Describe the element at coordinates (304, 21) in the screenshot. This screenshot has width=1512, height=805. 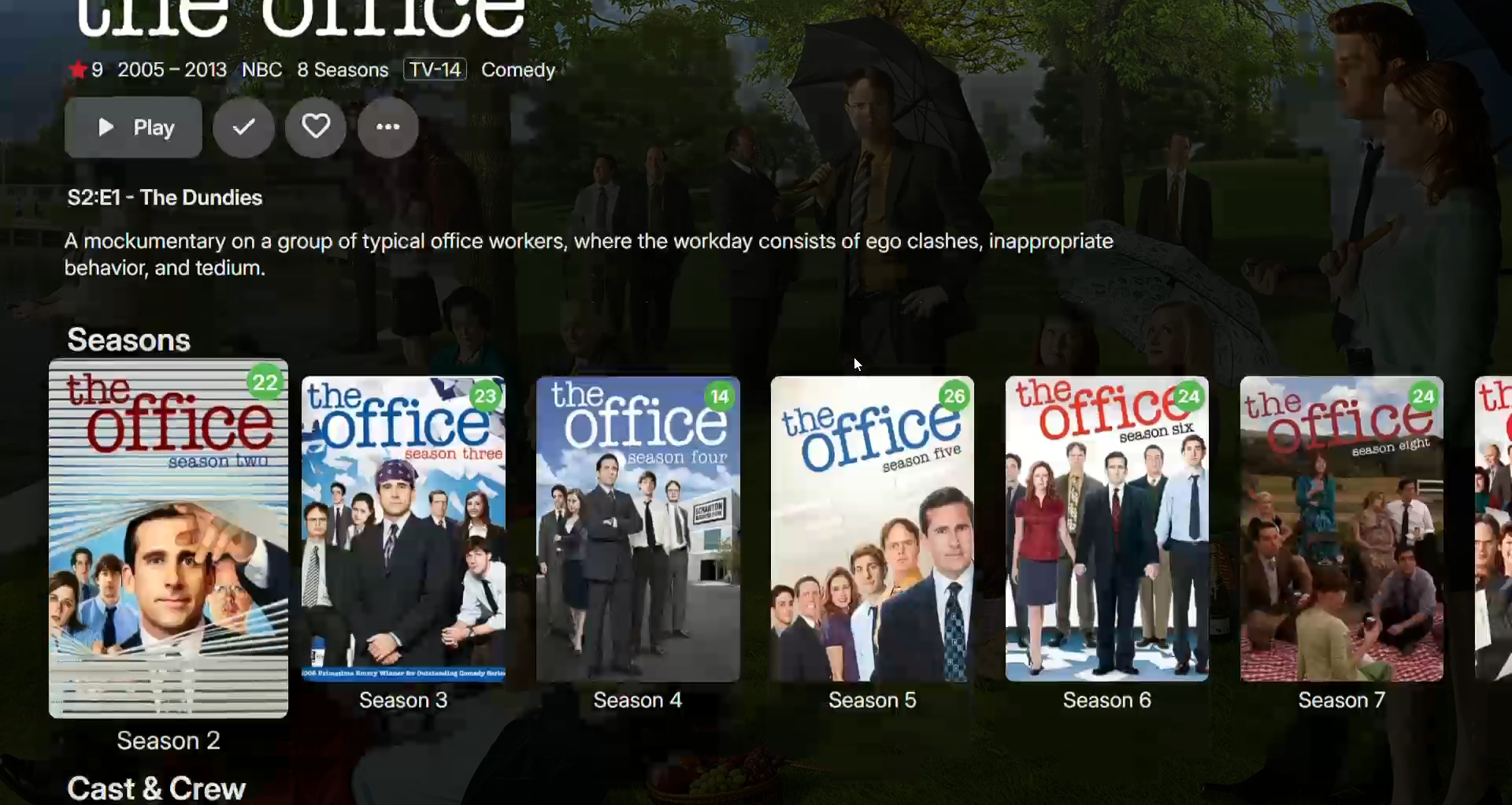
I see `The Office Logo` at that location.